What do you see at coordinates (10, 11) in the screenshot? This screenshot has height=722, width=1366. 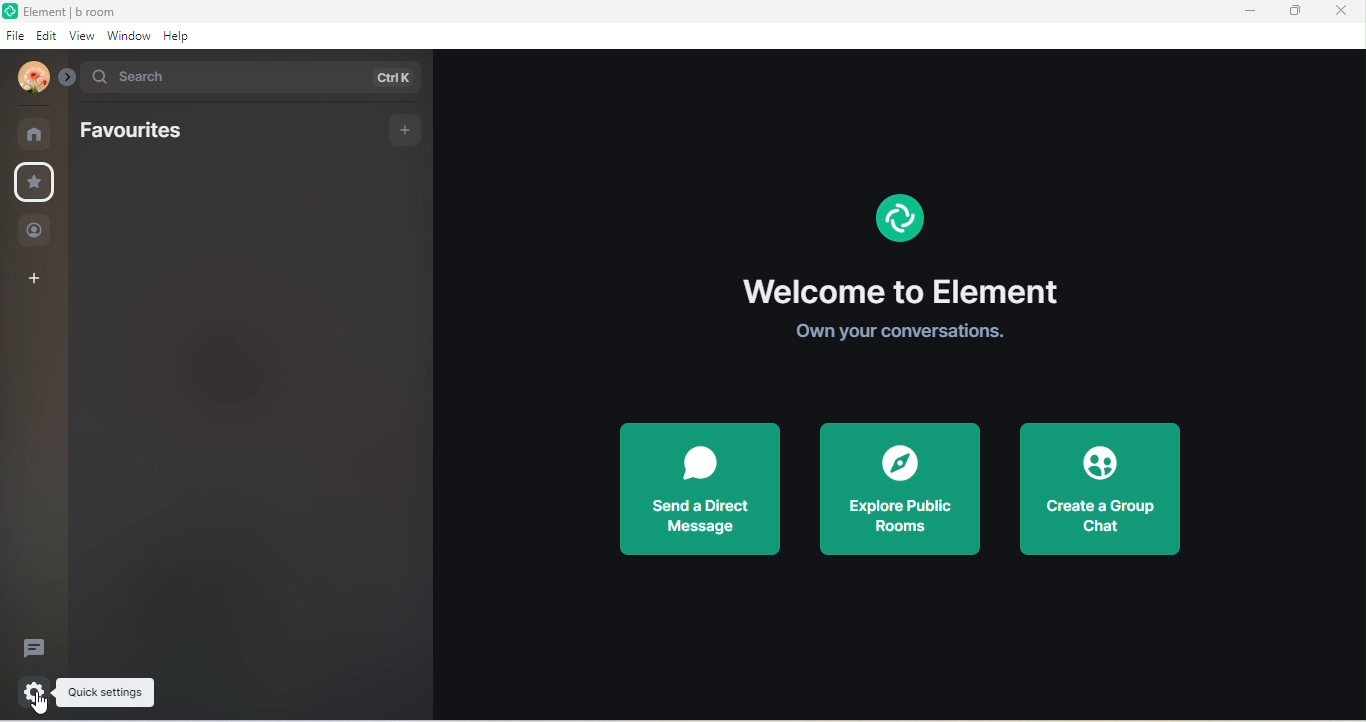 I see `element logo` at bounding box center [10, 11].